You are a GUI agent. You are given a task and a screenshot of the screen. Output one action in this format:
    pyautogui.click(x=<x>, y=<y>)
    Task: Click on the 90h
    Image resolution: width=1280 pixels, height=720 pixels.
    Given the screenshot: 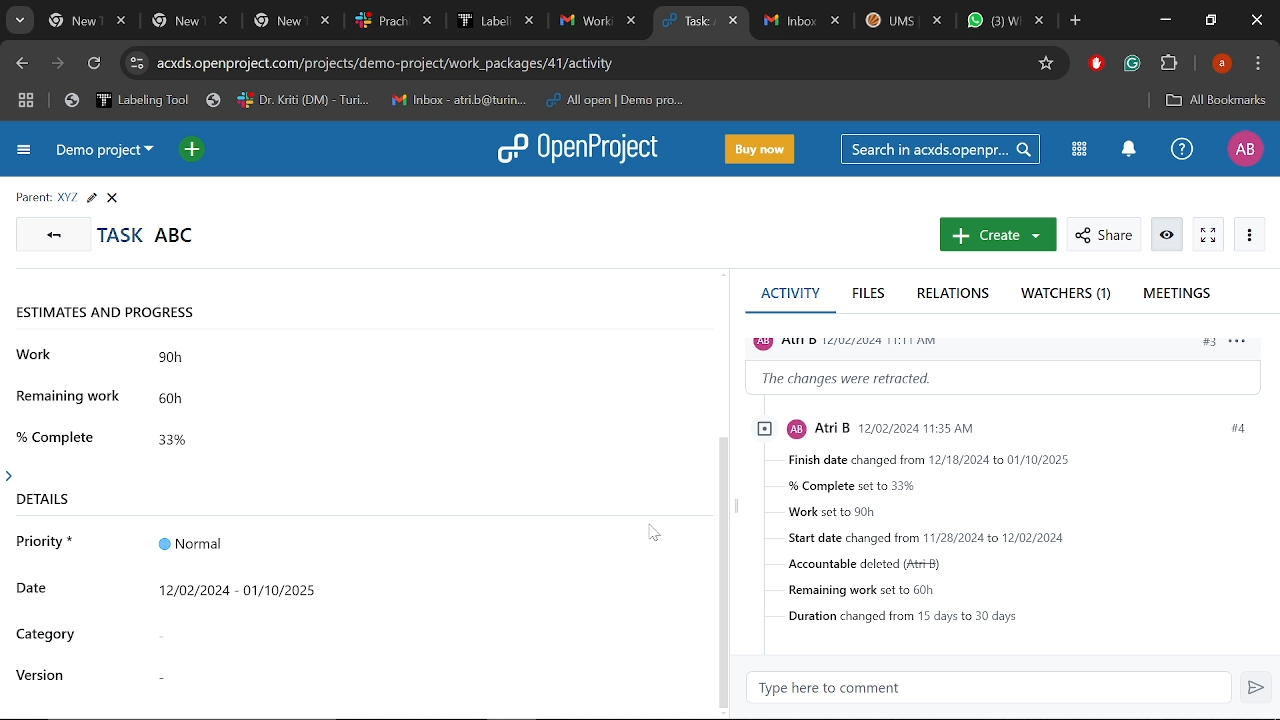 What is the action you would take?
    pyautogui.click(x=203, y=360)
    